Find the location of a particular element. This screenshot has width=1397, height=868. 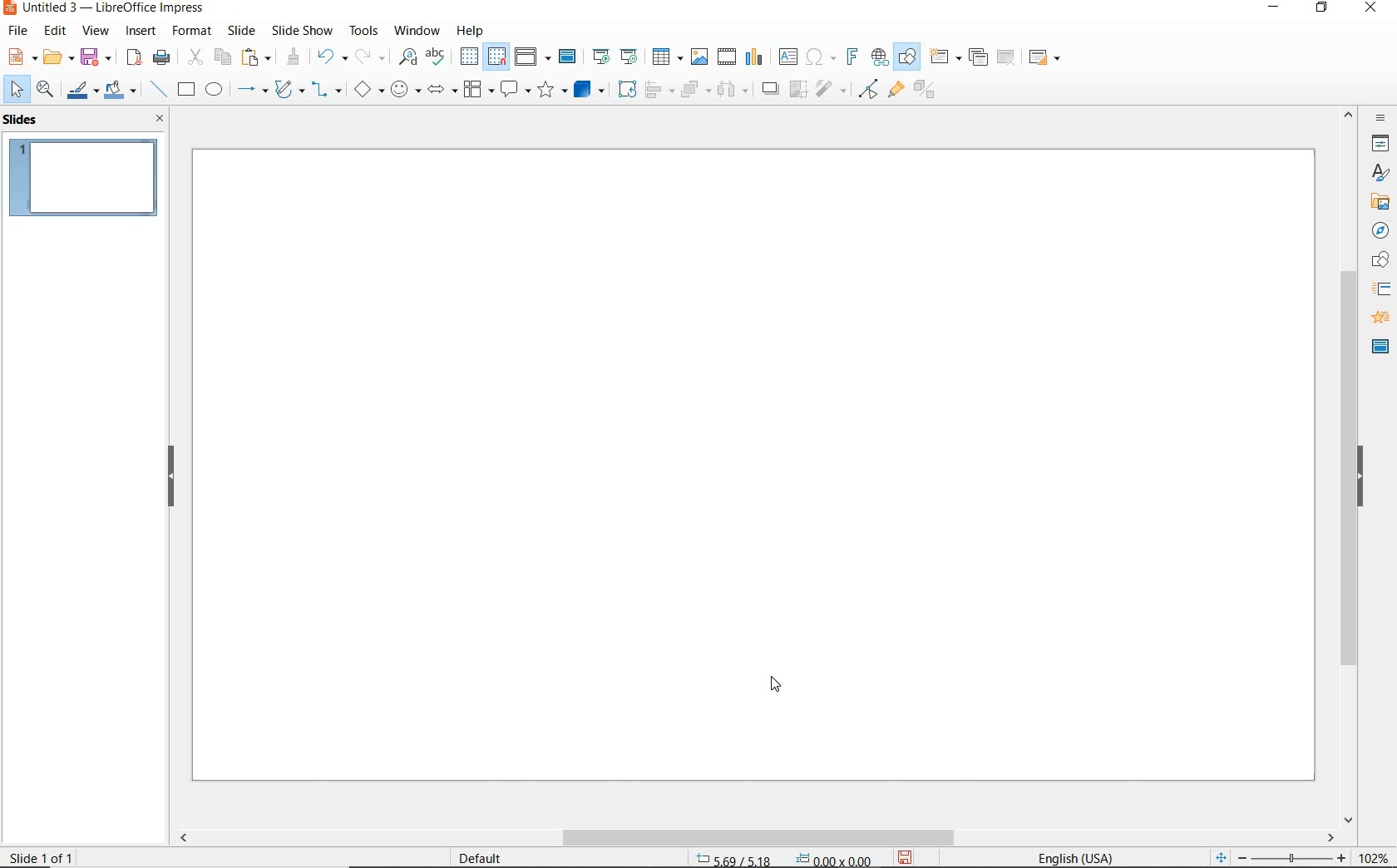

FLOWCHART is located at coordinates (477, 90).